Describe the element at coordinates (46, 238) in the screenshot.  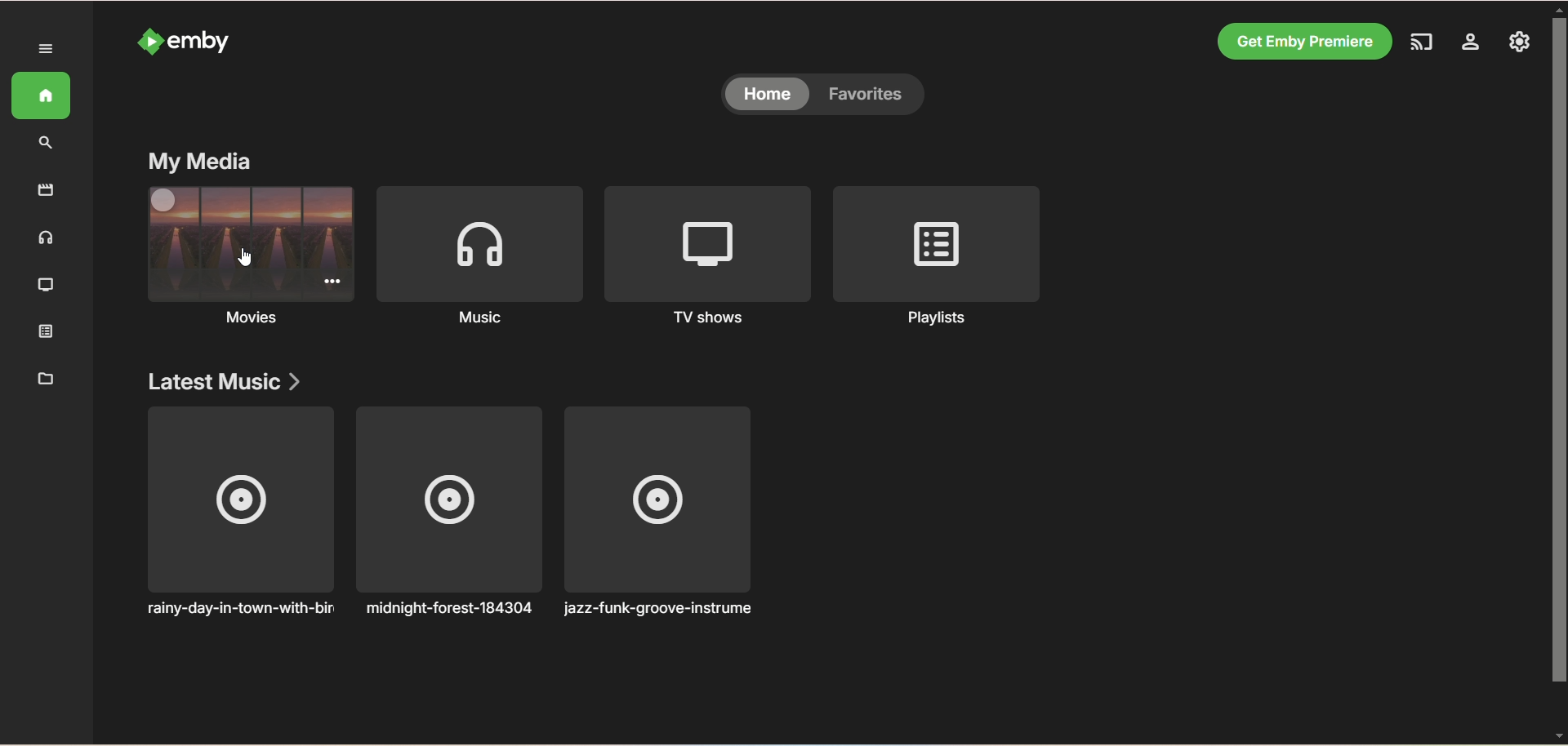
I see `music` at that location.